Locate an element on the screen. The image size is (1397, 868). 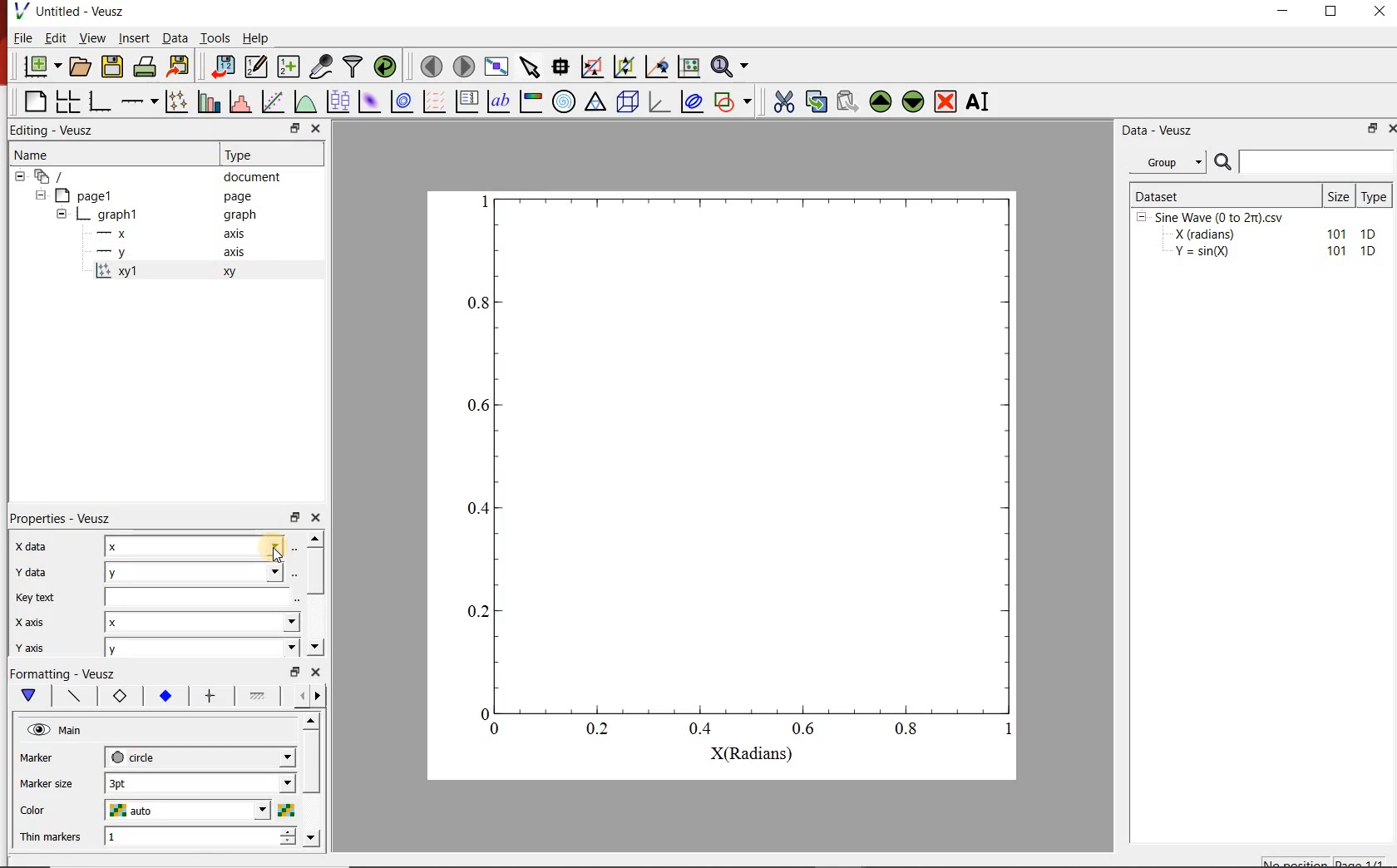
plot points is located at coordinates (179, 101).